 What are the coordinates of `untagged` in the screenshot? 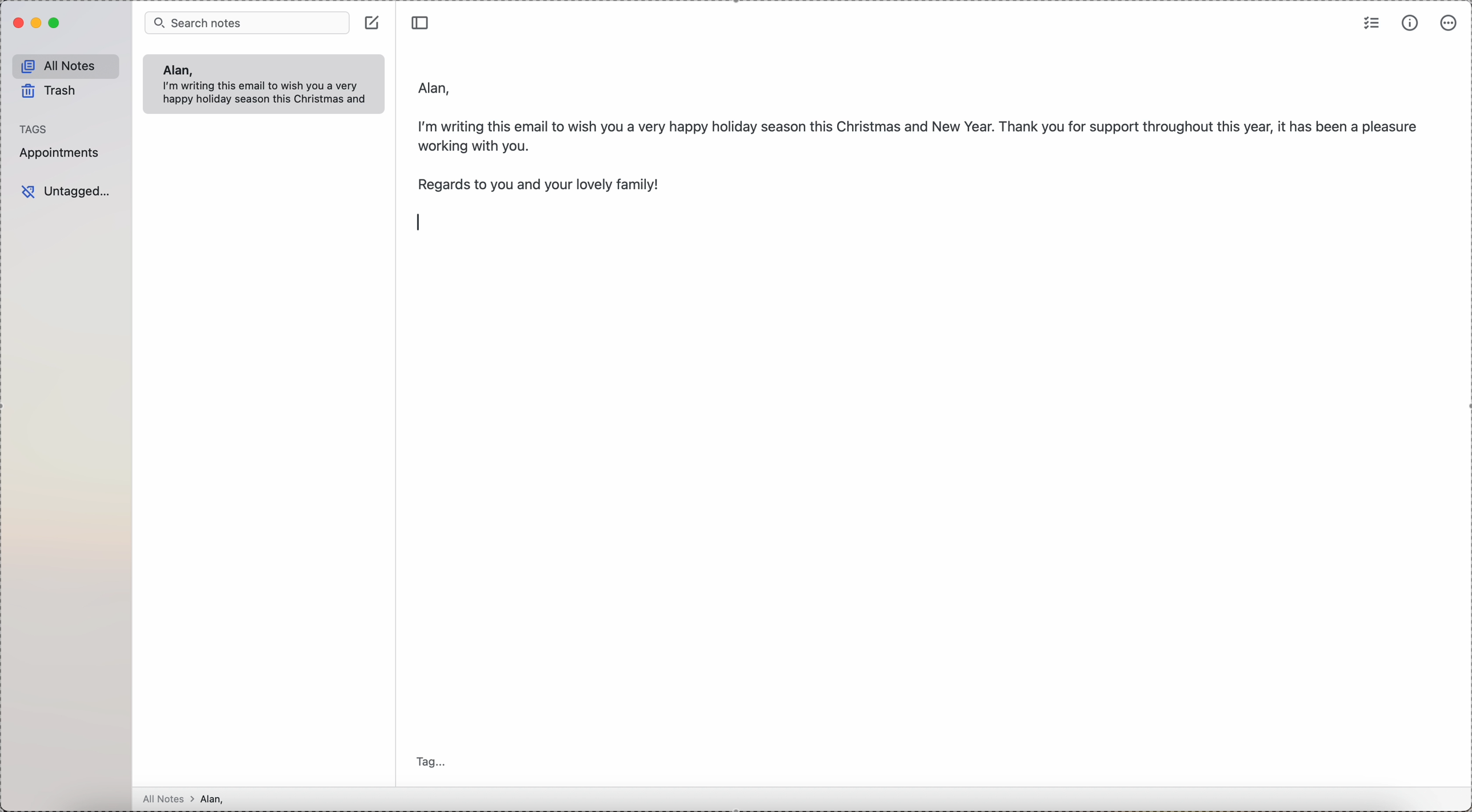 It's located at (66, 192).